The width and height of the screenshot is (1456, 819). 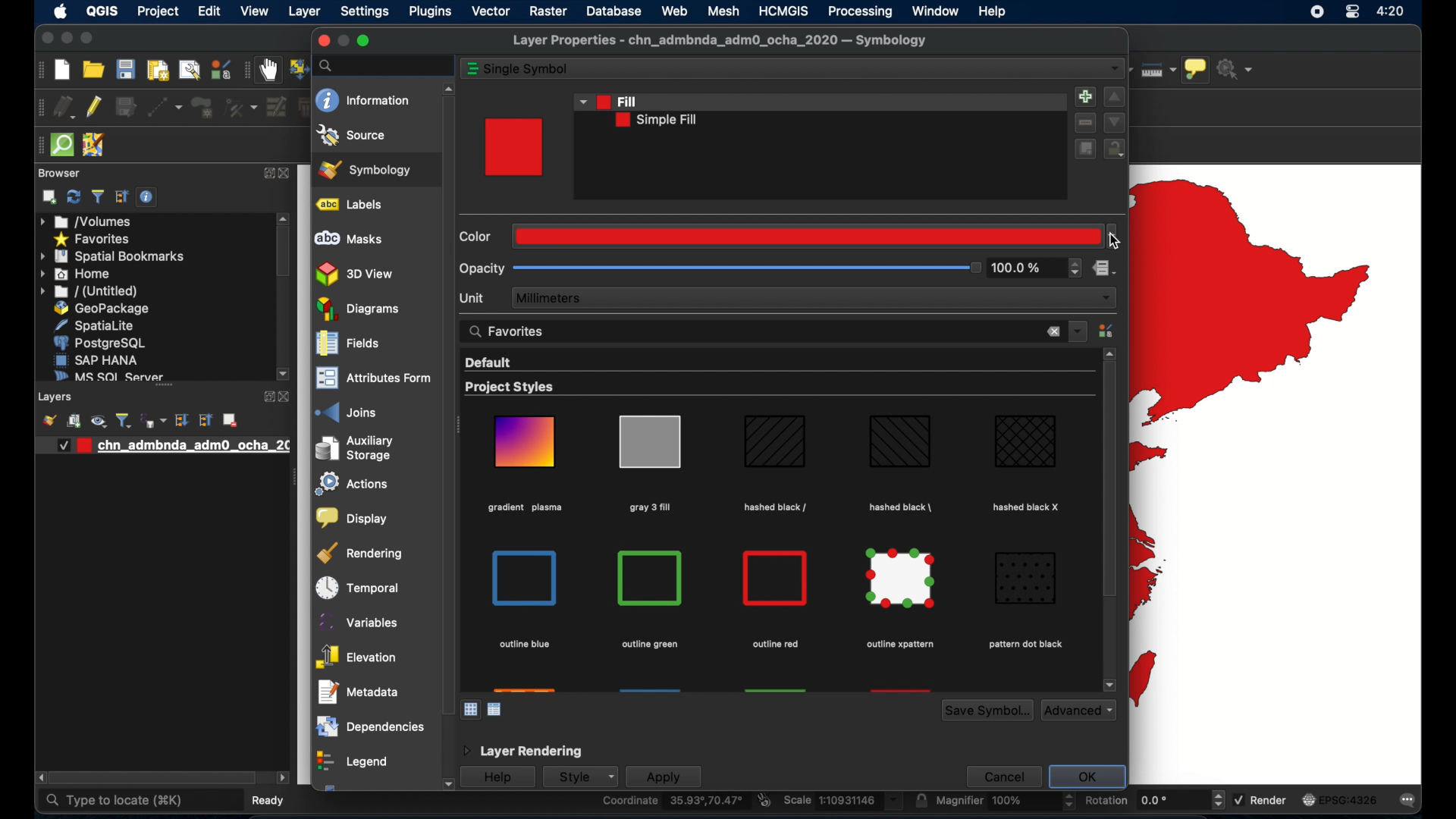 I want to click on outline blue, so click(x=524, y=645).